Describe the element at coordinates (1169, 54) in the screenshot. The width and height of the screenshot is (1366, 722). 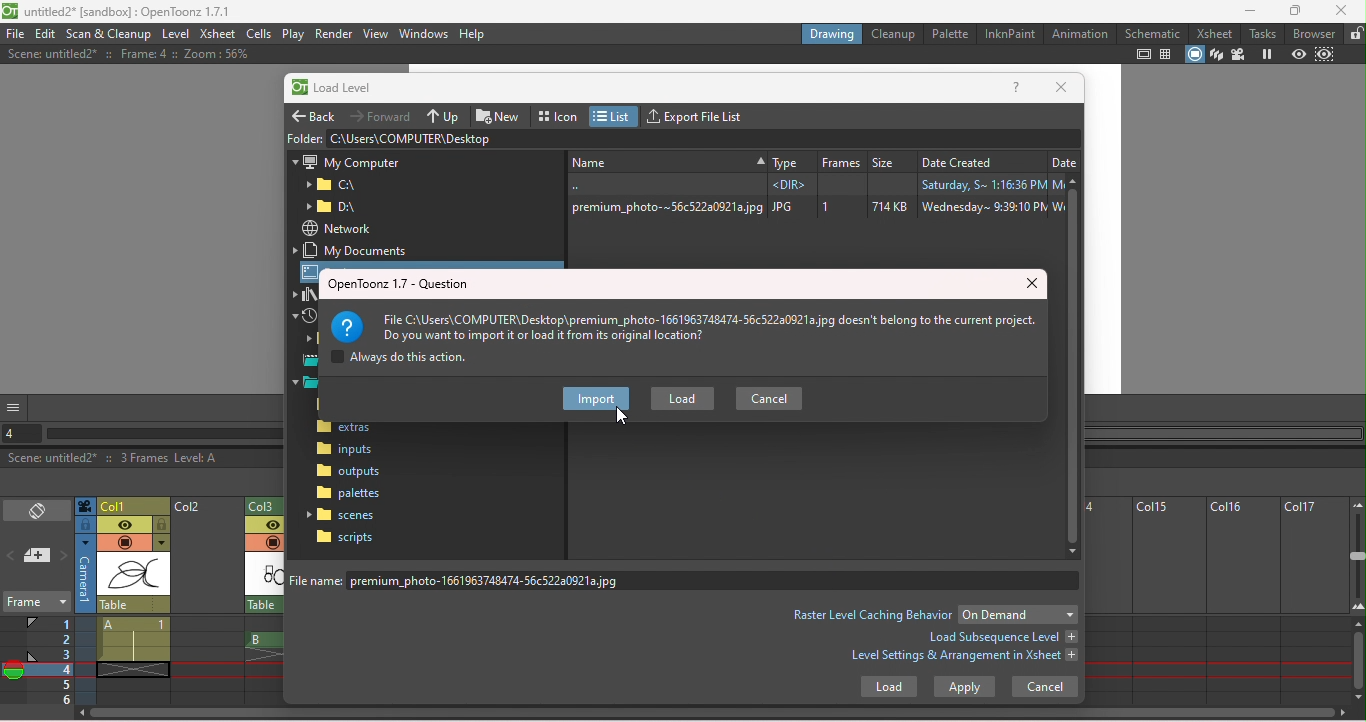
I see `Field guide` at that location.